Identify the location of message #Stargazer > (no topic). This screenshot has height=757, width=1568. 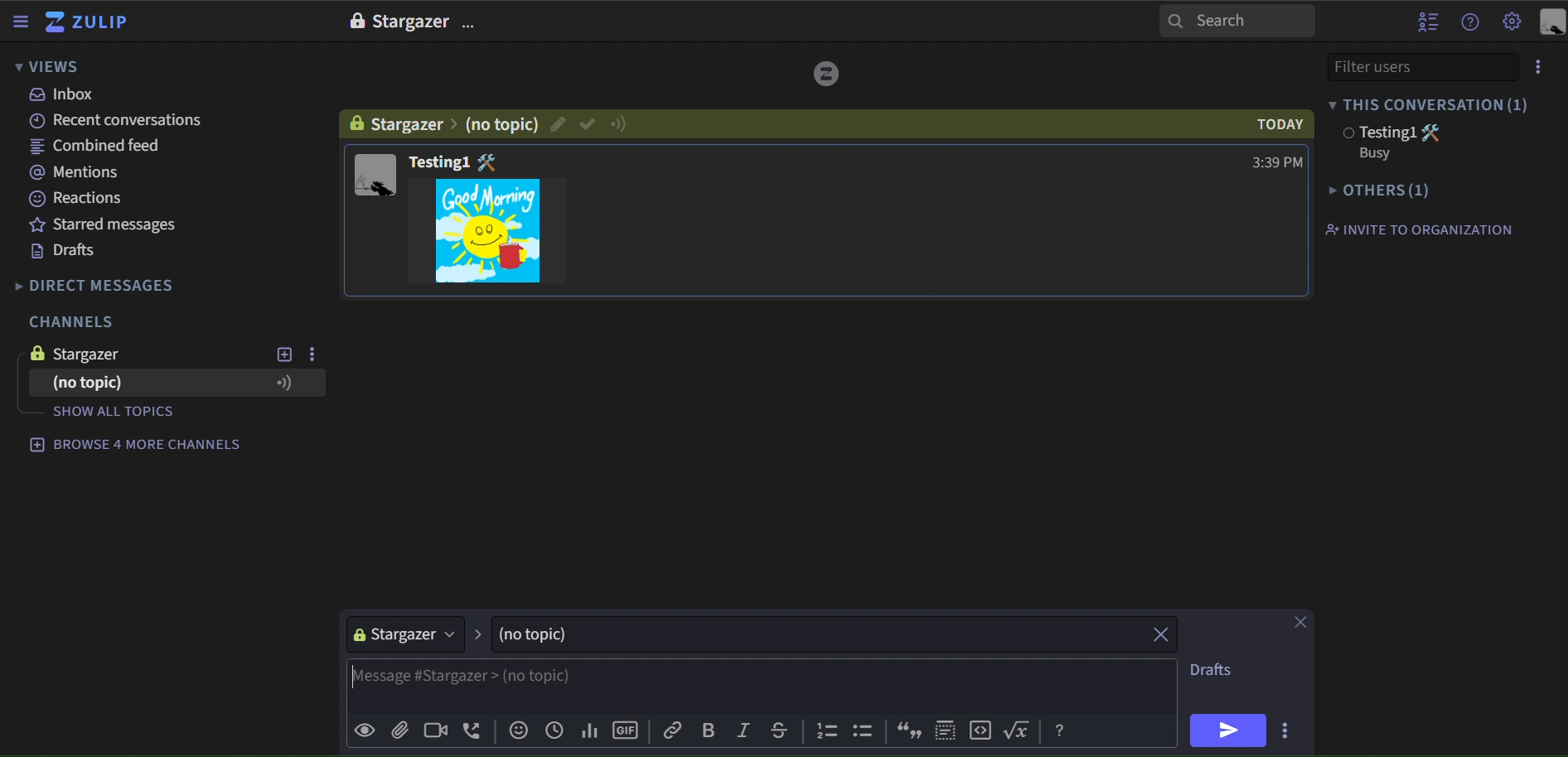
(761, 686).